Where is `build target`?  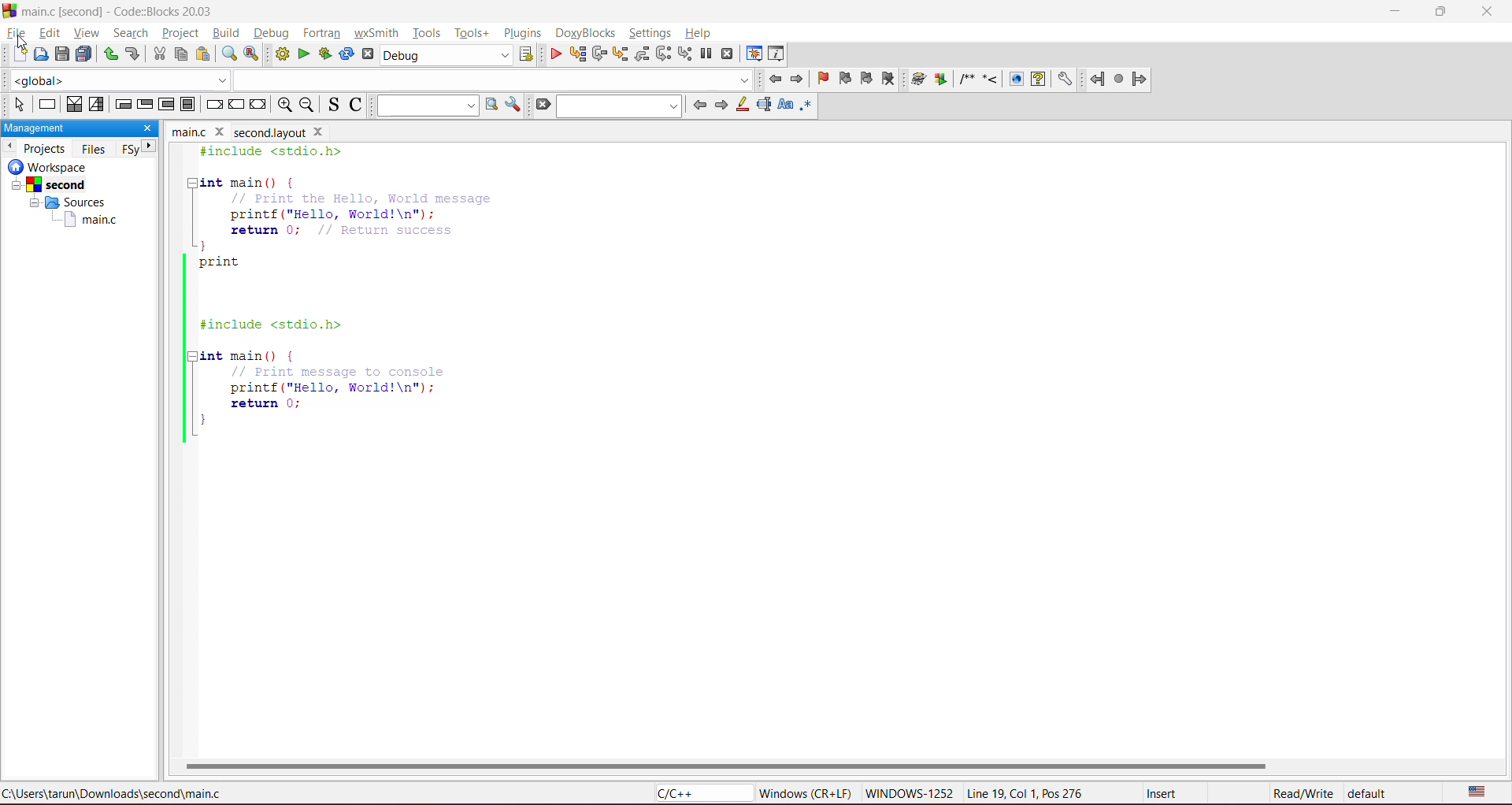 build target is located at coordinates (447, 57).